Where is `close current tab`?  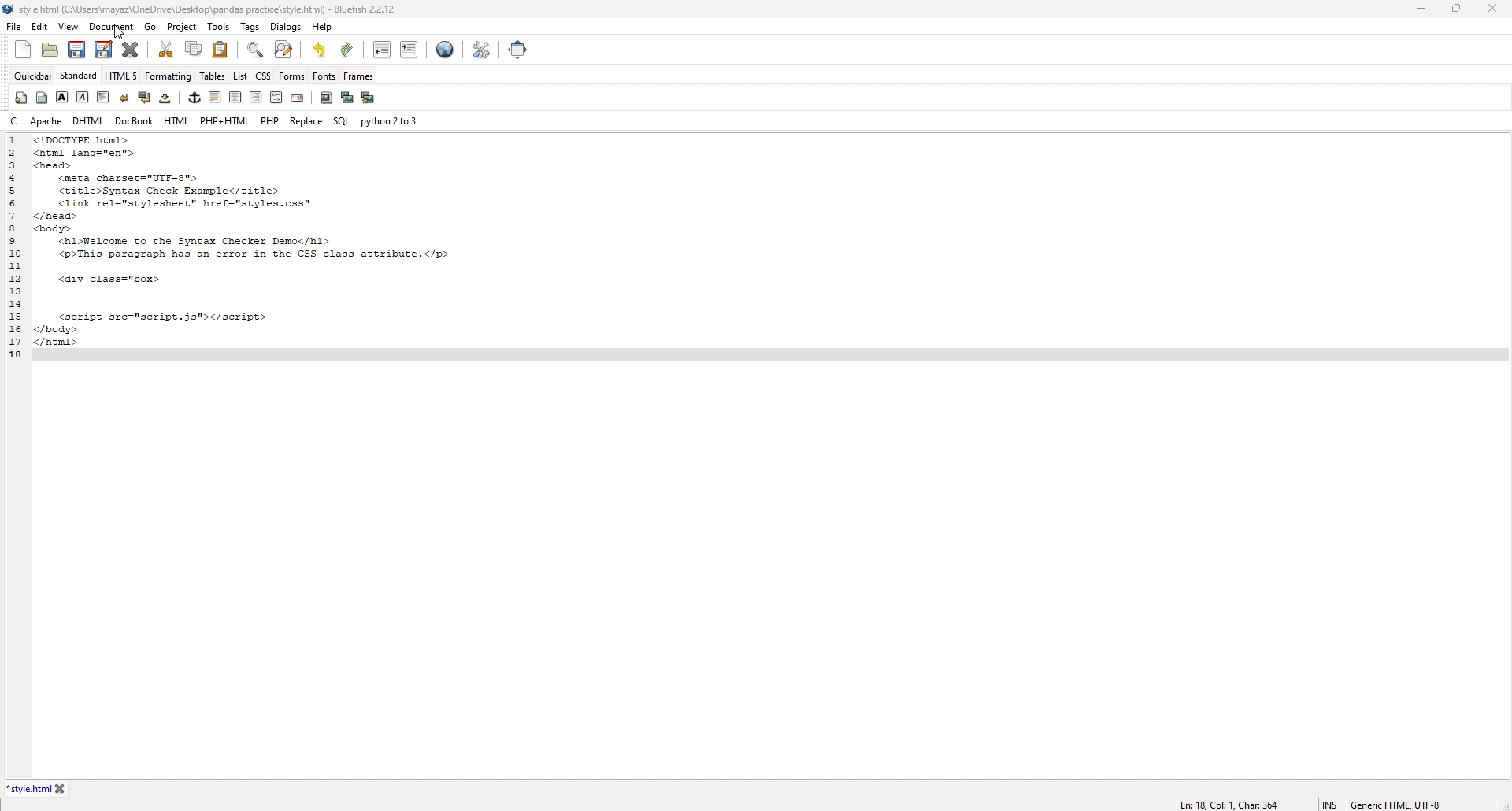
close current tab is located at coordinates (130, 50).